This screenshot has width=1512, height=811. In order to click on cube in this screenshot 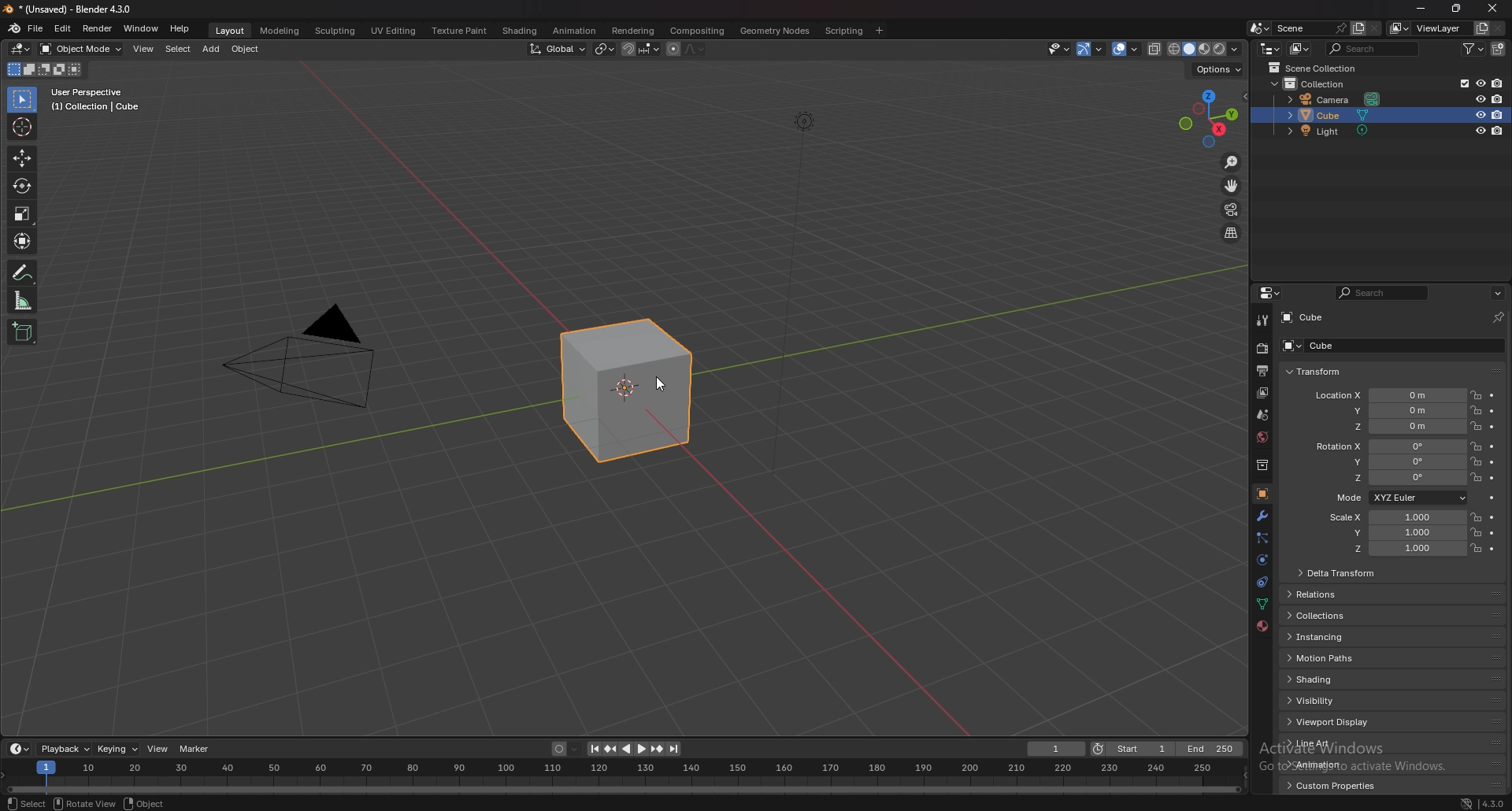, I will do `click(1361, 345)`.